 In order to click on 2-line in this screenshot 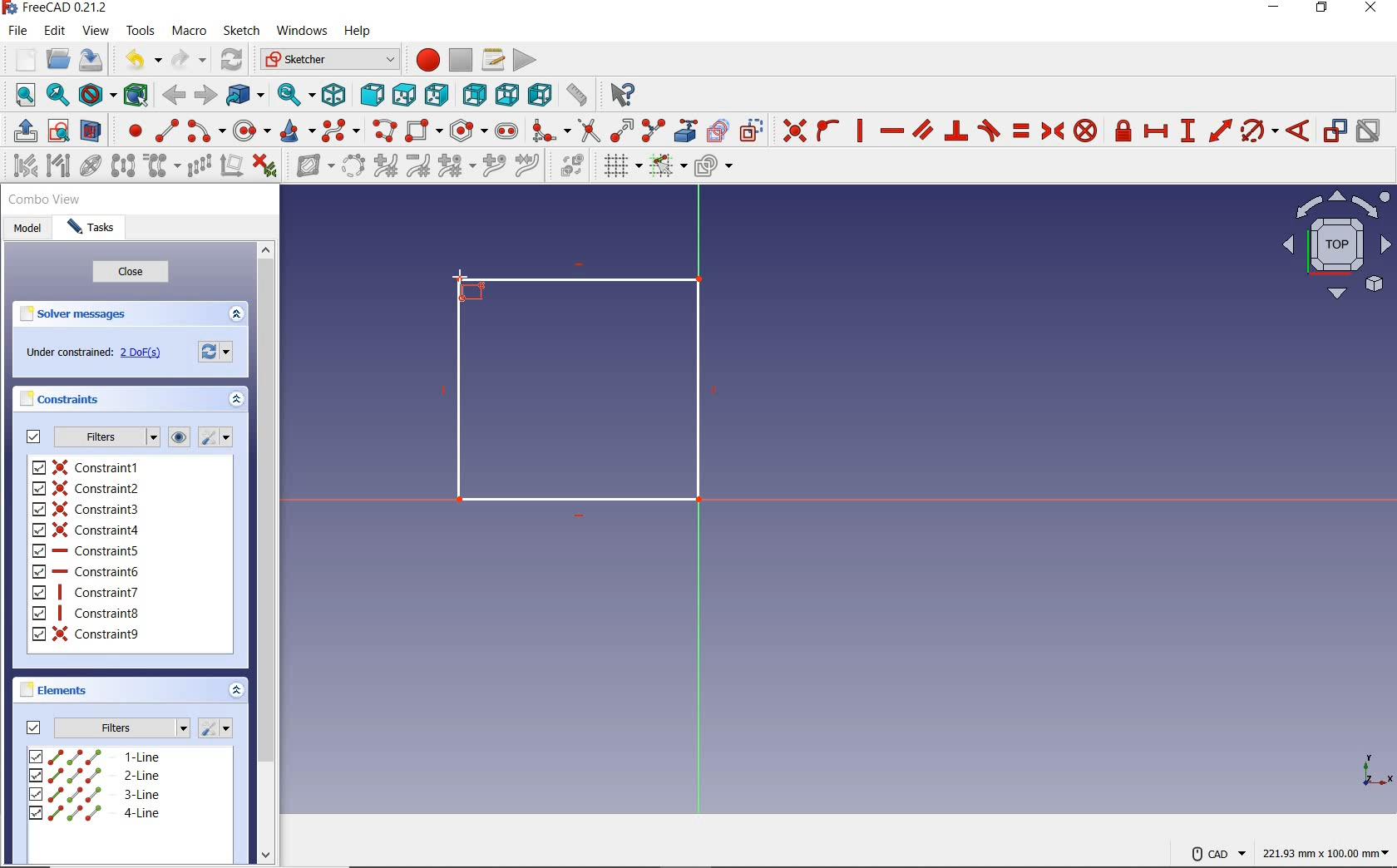, I will do `click(99, 776)`.